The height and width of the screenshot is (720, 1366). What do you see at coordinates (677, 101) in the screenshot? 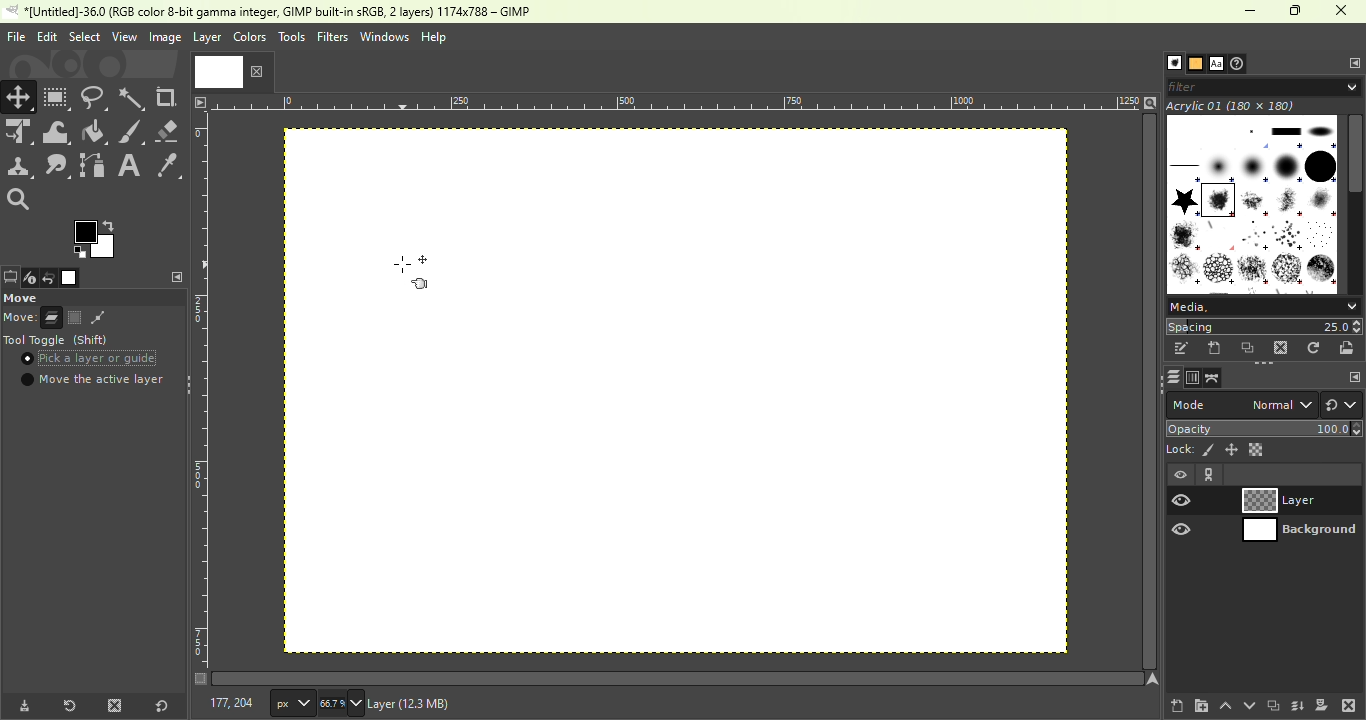
I see `Ruler measurement` at bounding box center [677, 101].